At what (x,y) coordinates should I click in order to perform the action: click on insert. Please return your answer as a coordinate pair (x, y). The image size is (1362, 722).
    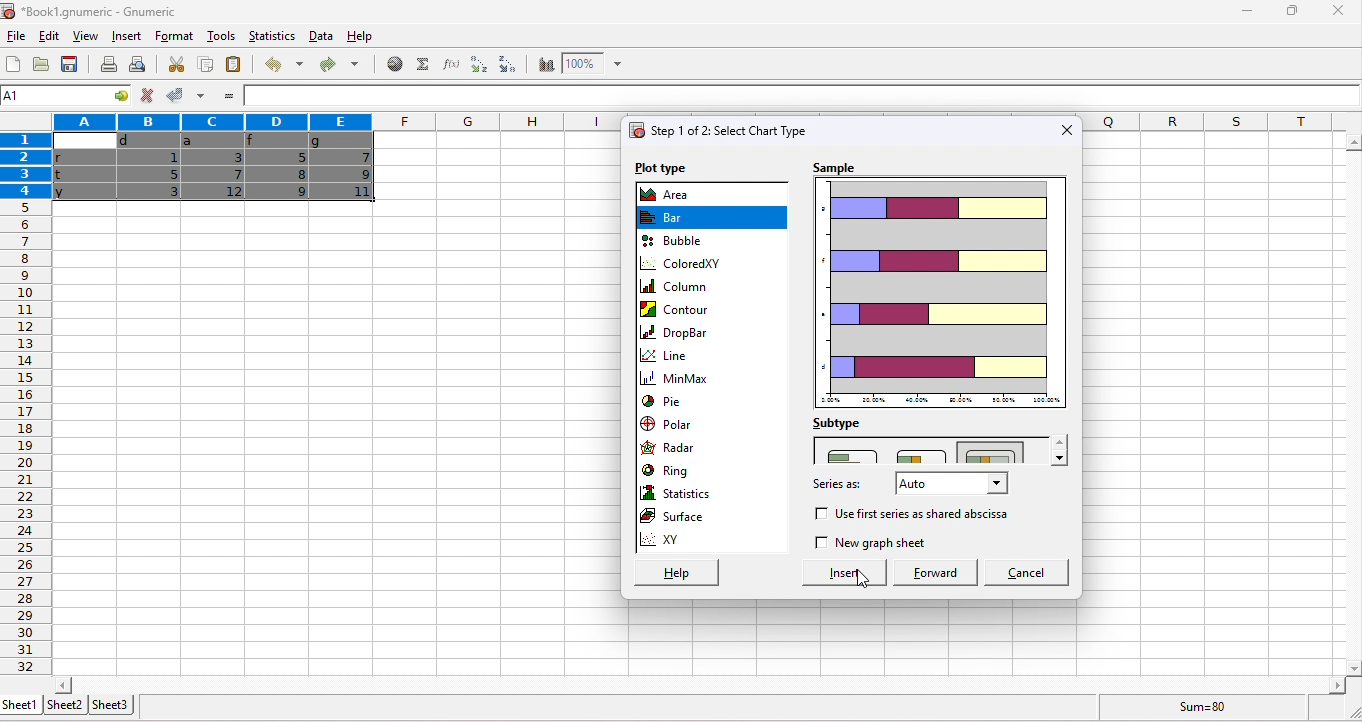
    Looking at the image, I should click on (834, 572).